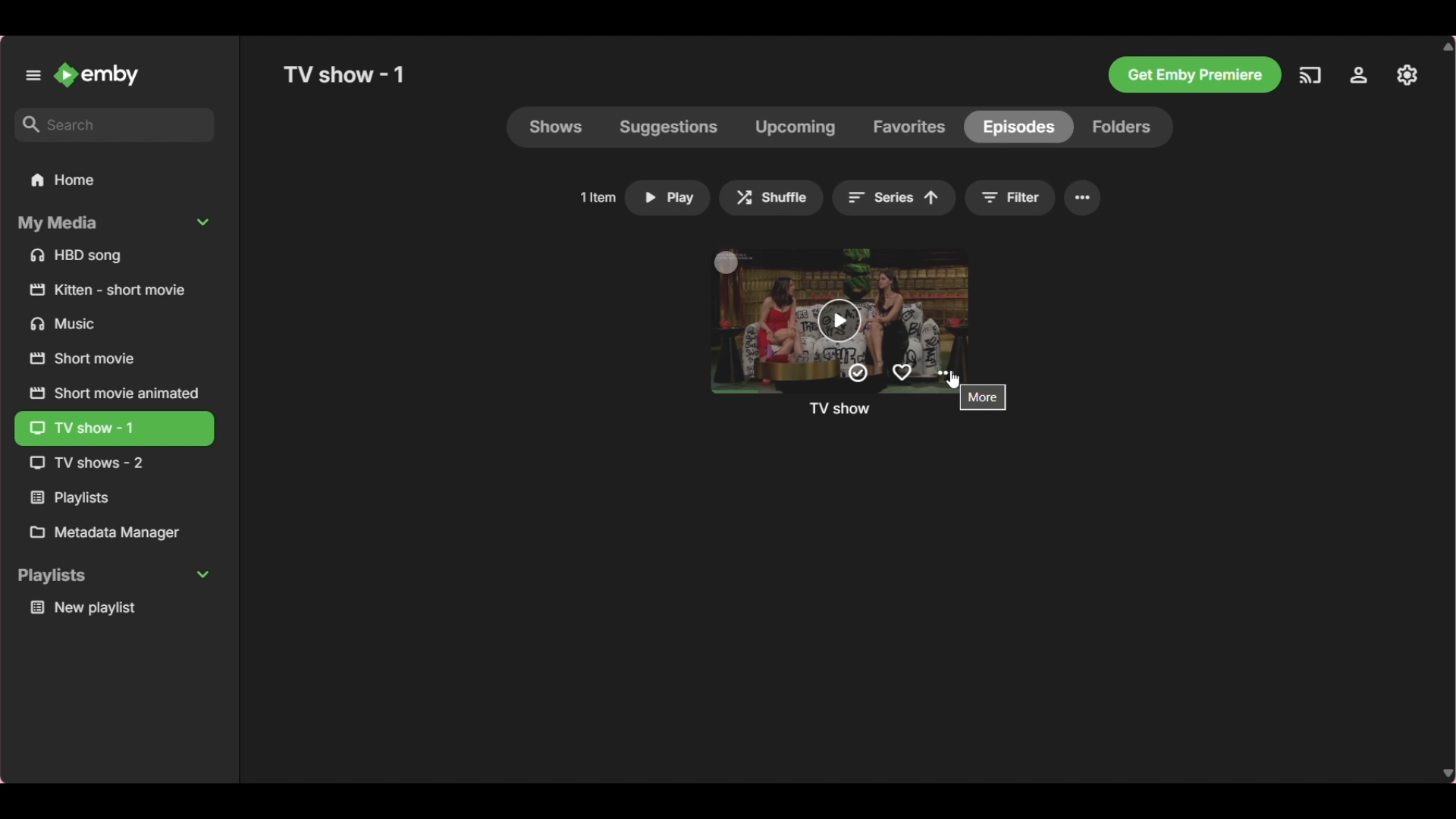 This screenshot has height=819, width=1456. Describe the element at coordinates (1012, 198) in the screenshot. I see `Filter shows` at that location.